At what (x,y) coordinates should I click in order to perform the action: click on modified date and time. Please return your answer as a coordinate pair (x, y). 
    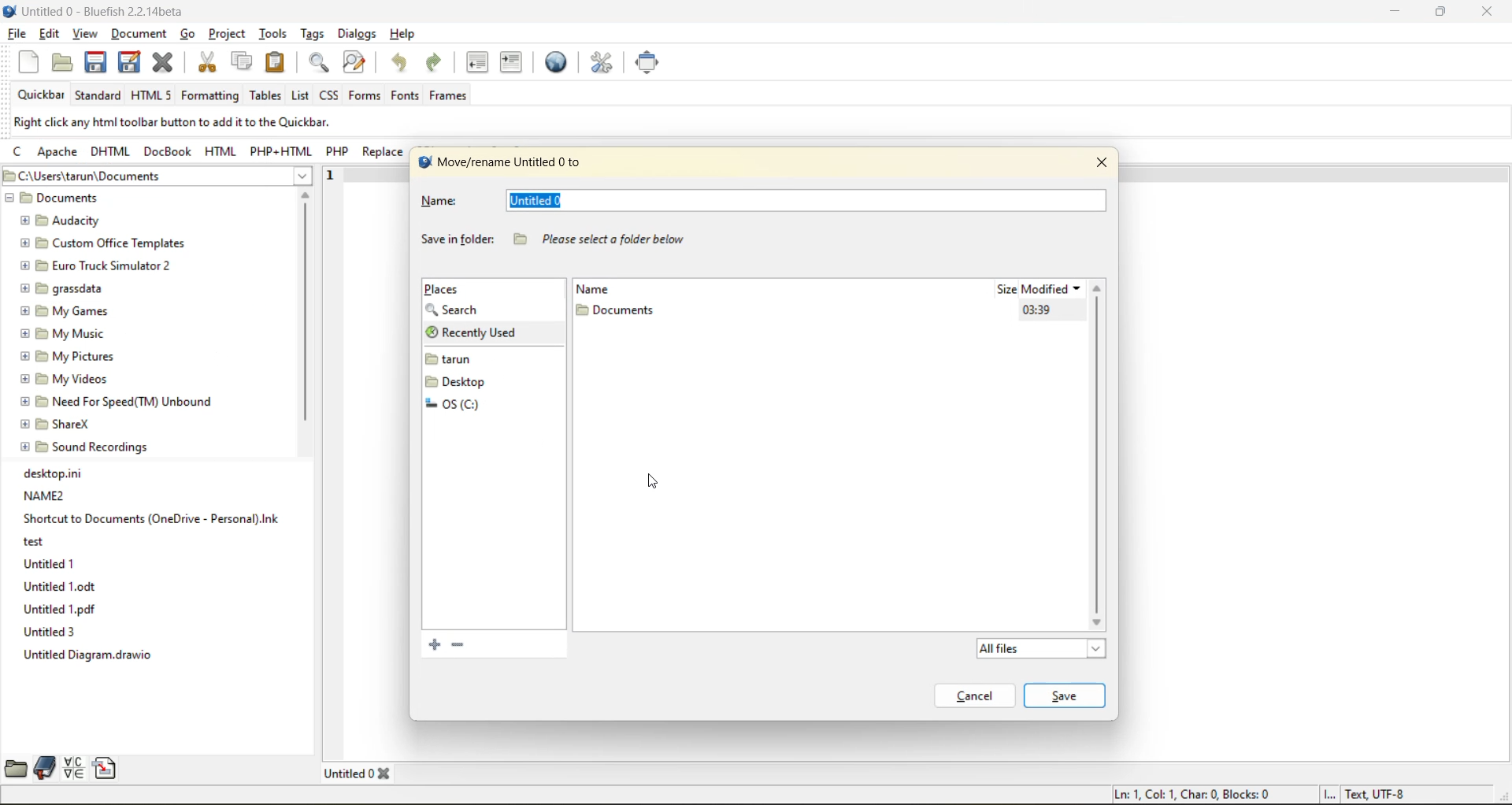
    Looking at the image, I should click on (1036, 310).